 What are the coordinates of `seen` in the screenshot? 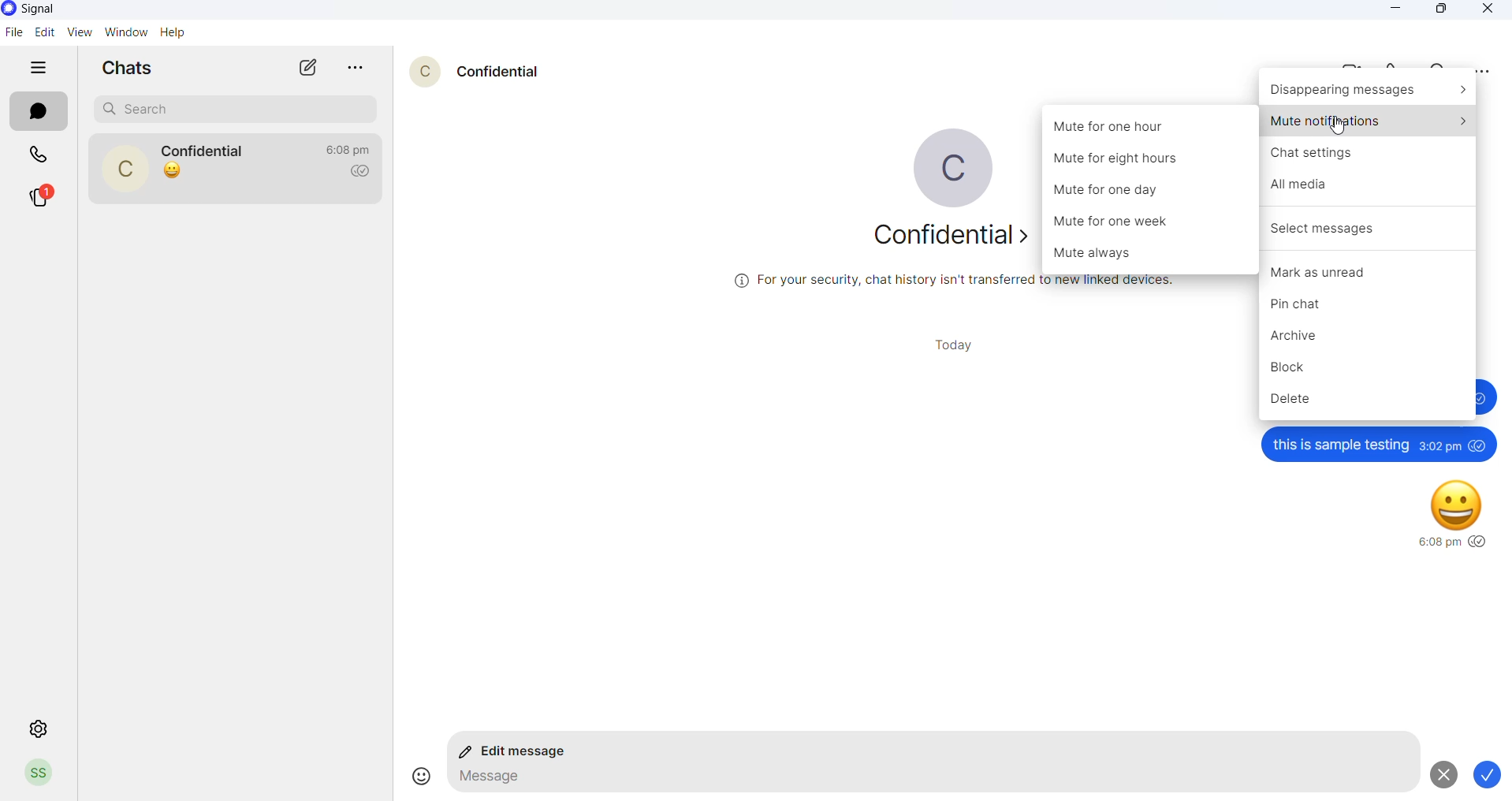 It's located at (1479, 445).